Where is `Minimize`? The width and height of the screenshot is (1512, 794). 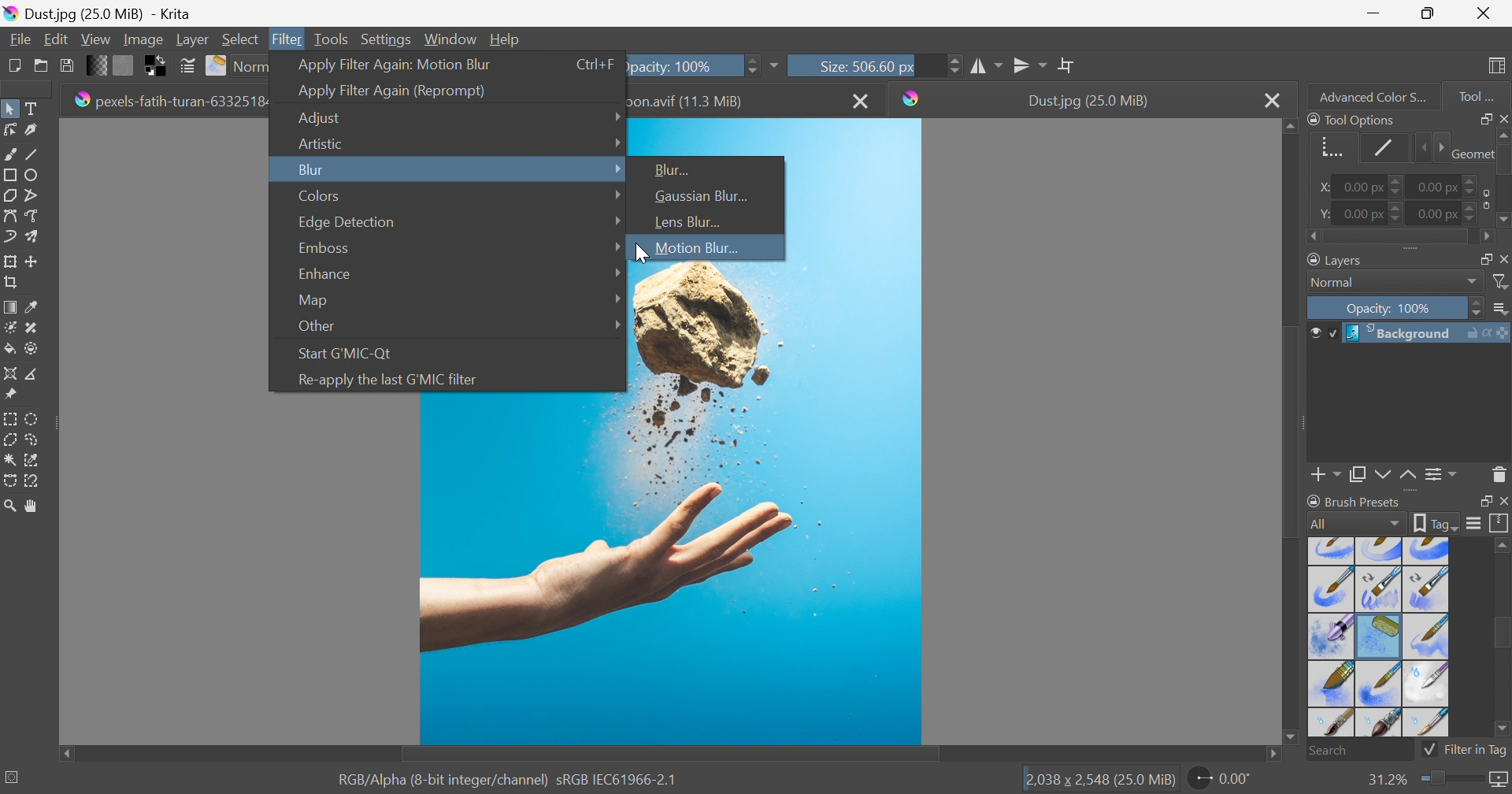 Minimize is located at coordinates (1373, 12).